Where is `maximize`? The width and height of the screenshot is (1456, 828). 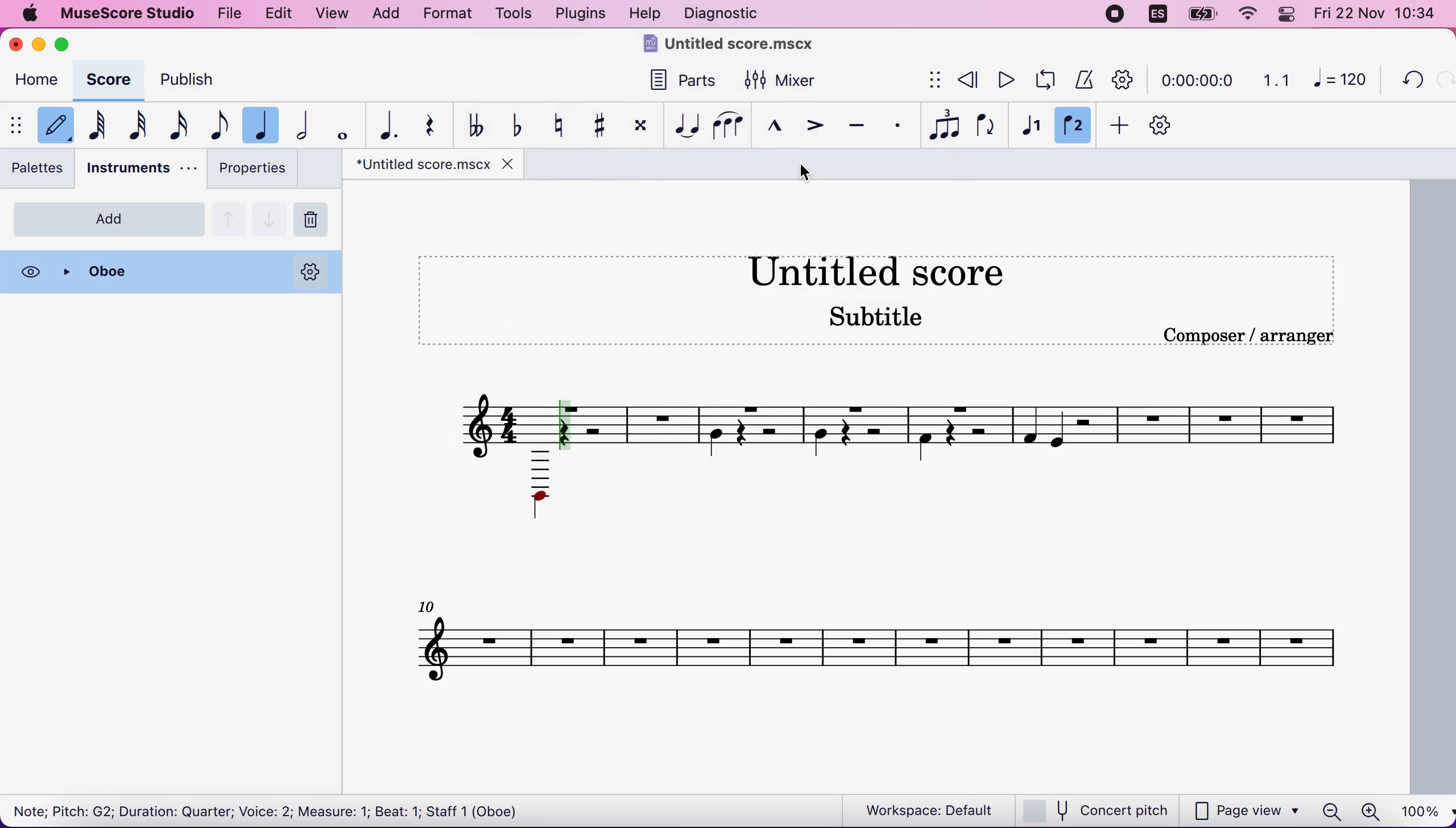
maximize is located at coordinates (67, 43).